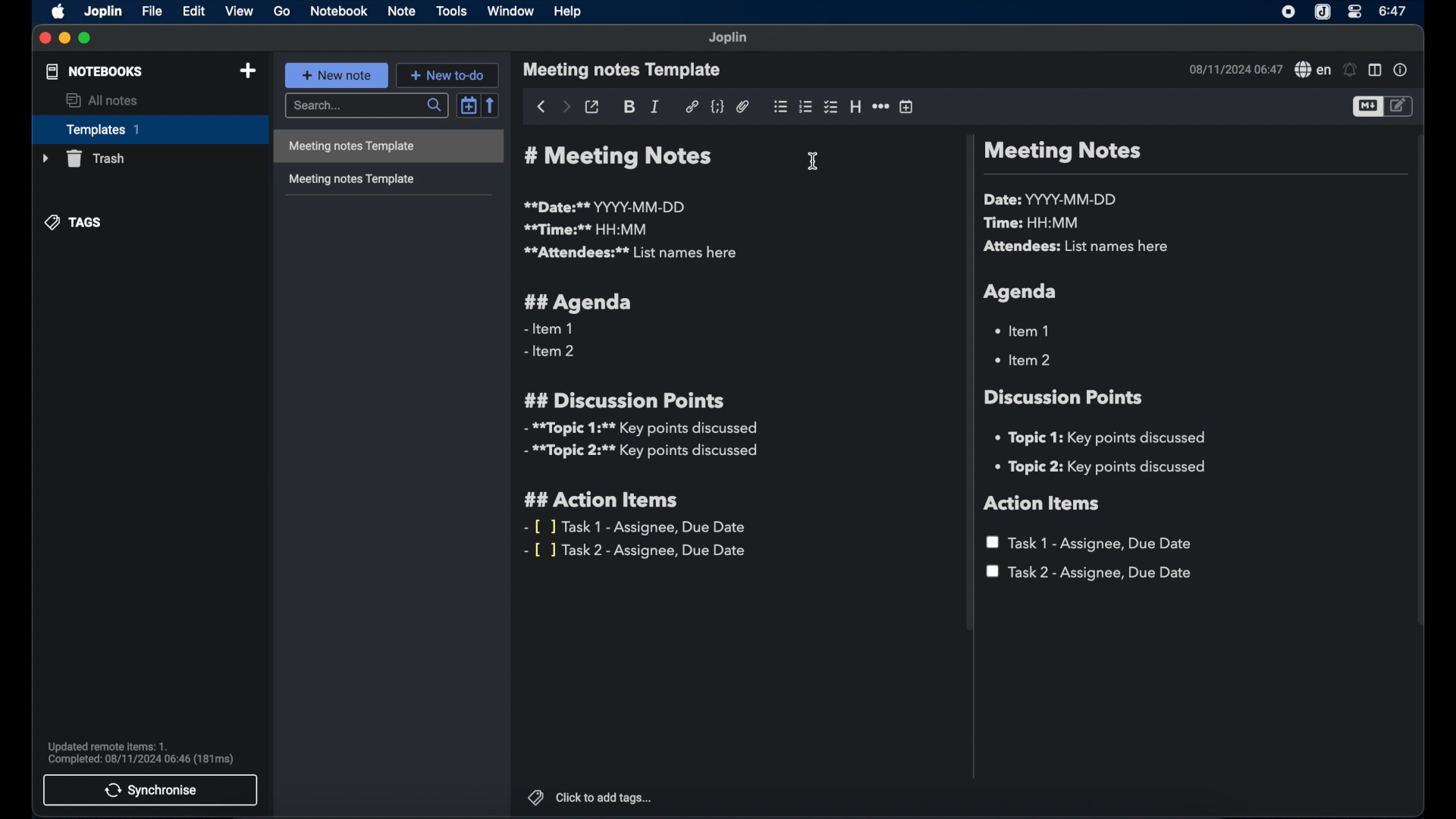 Image resolution: width=1456 pixels, height=819 pixels. I want to click on ## agenda, so click(579, 303).